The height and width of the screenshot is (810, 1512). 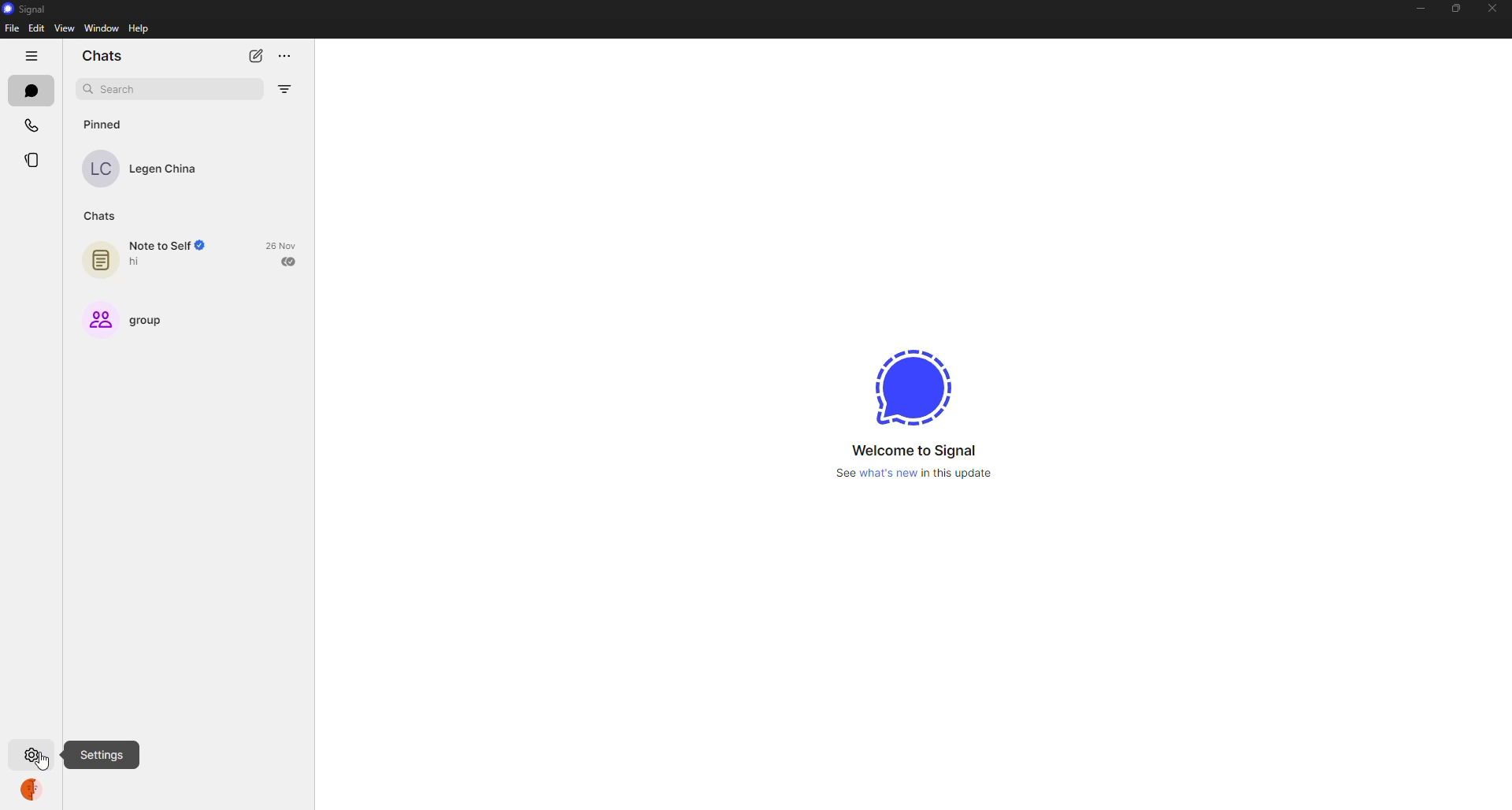 I want to click on settings, so click(x=31, y=752).